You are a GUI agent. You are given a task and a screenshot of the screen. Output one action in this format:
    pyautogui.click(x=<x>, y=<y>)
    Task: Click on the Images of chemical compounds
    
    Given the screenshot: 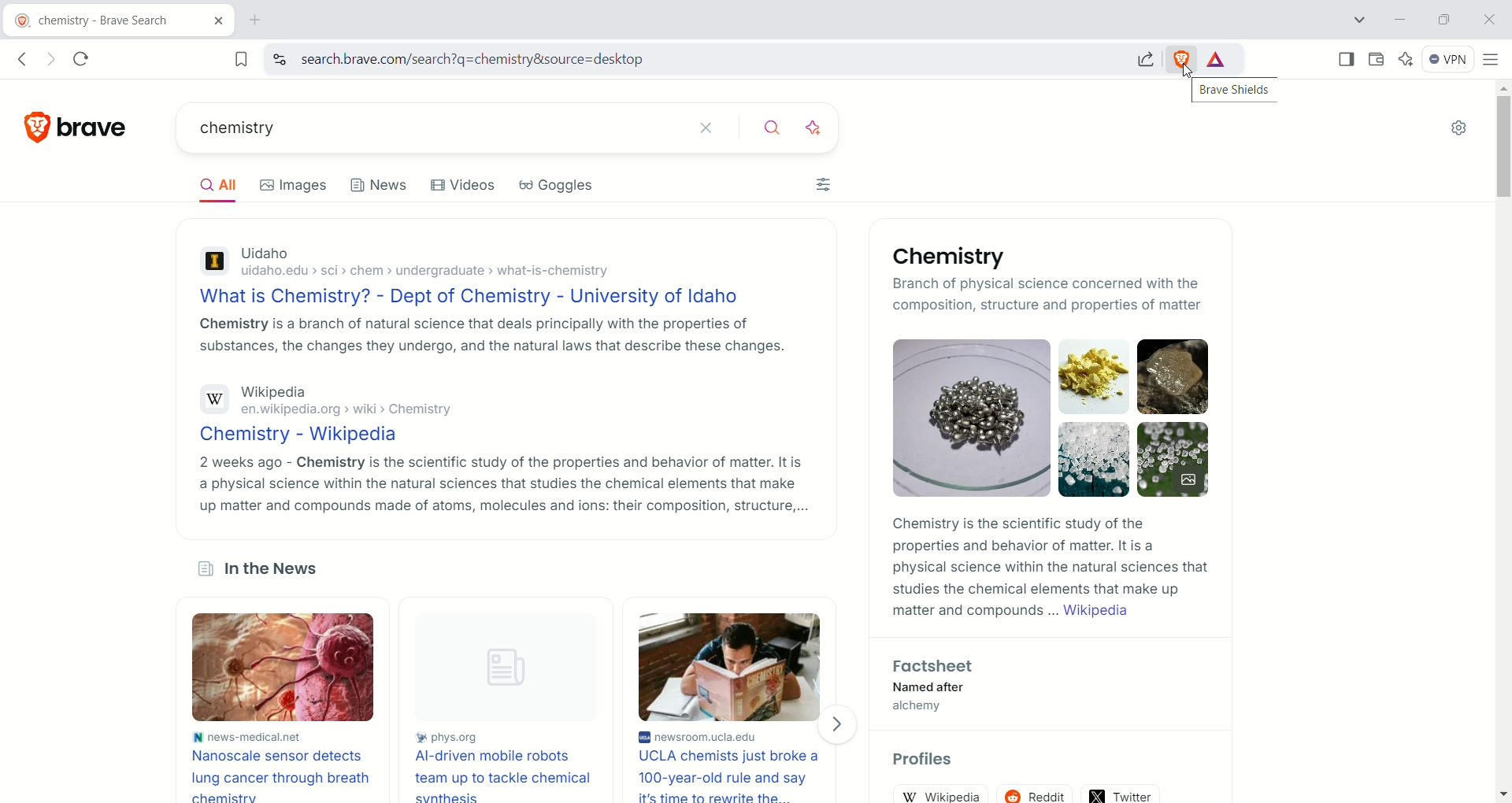 What is the action you would take?
    pyautogui.click(x=1051, y=418)
    